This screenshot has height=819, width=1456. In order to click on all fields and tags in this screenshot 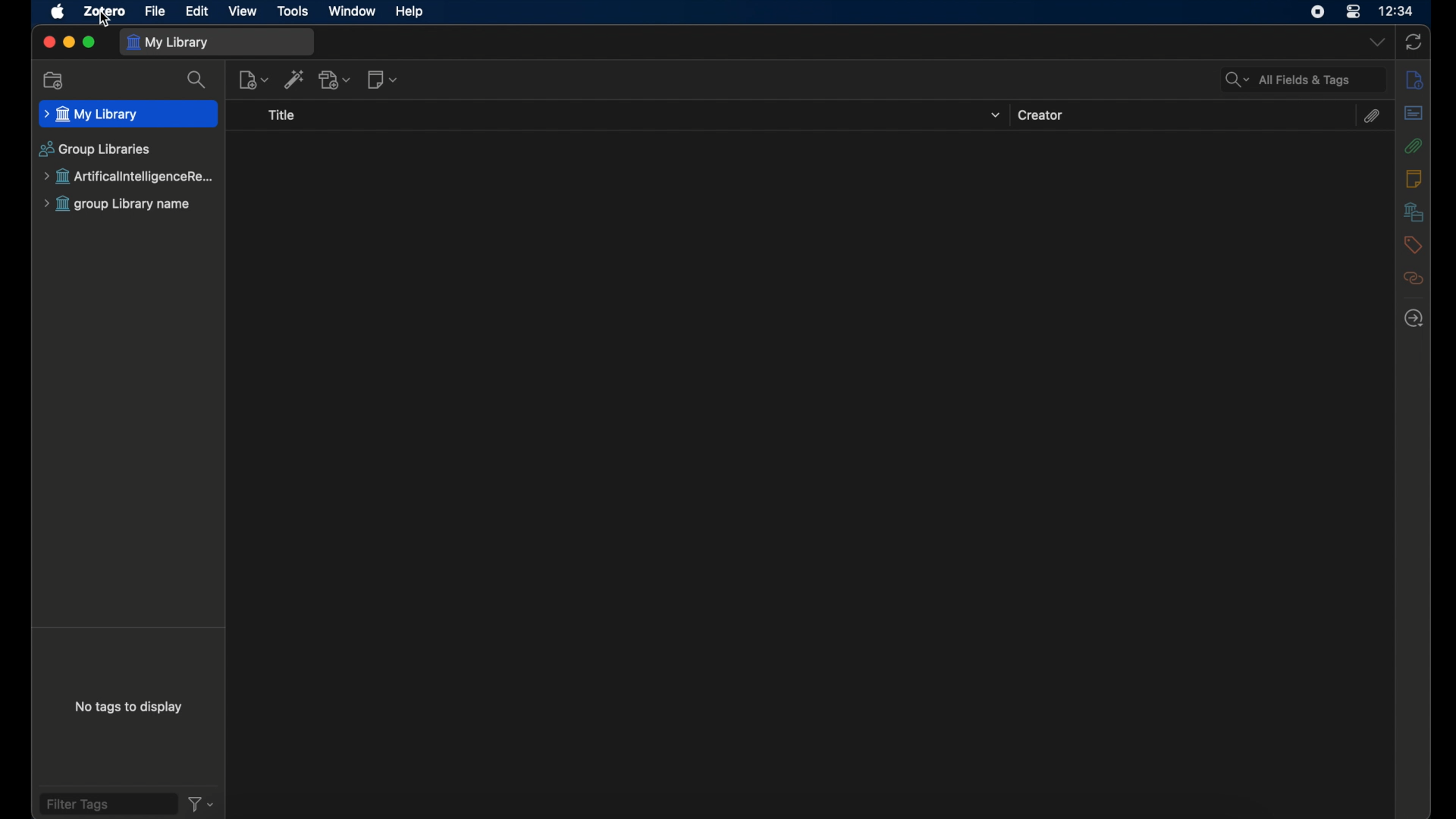, I will do `click(1303, 80)`.